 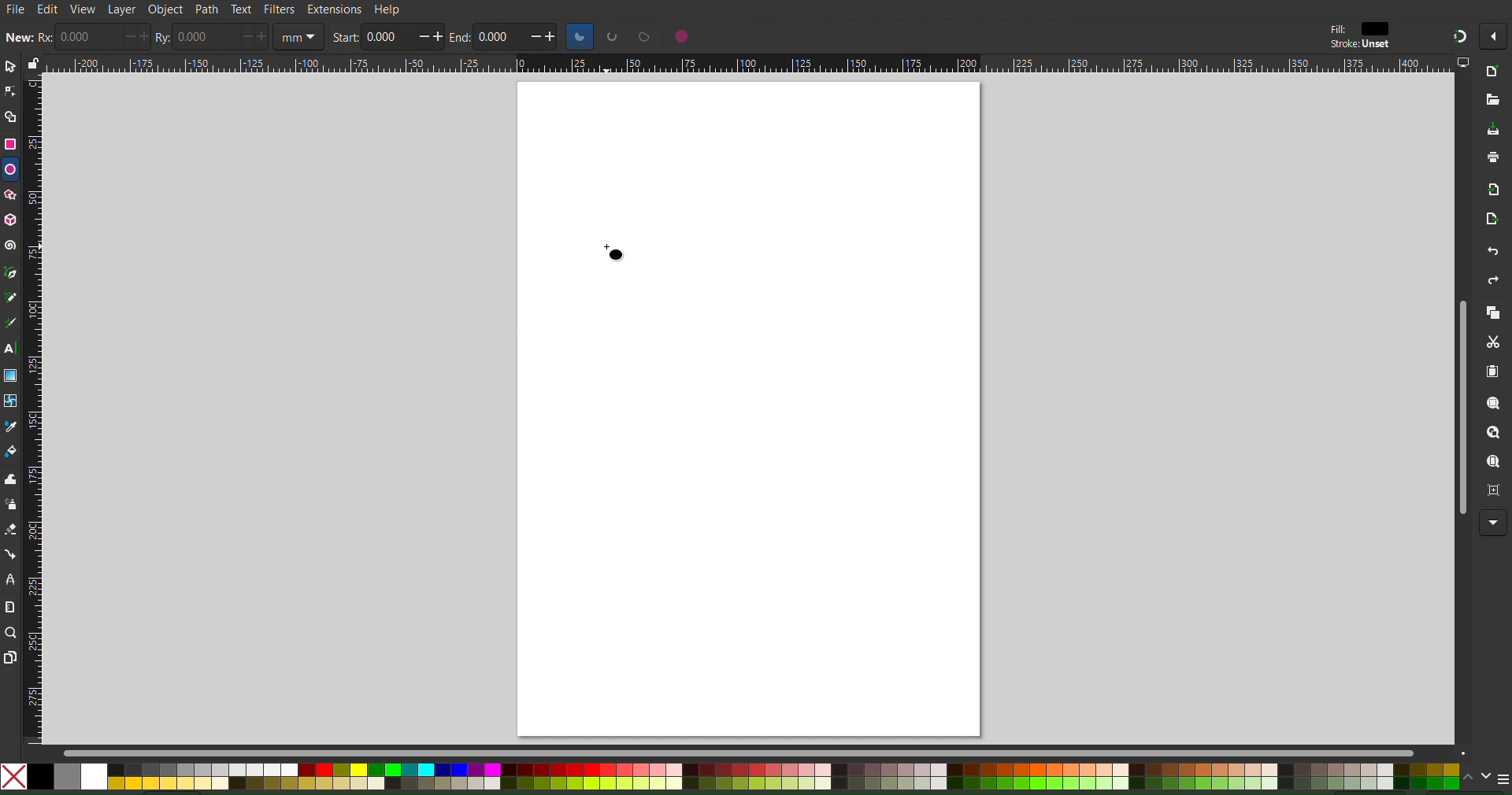 I want to click on LPE Tool, so click(x=10, y=579).